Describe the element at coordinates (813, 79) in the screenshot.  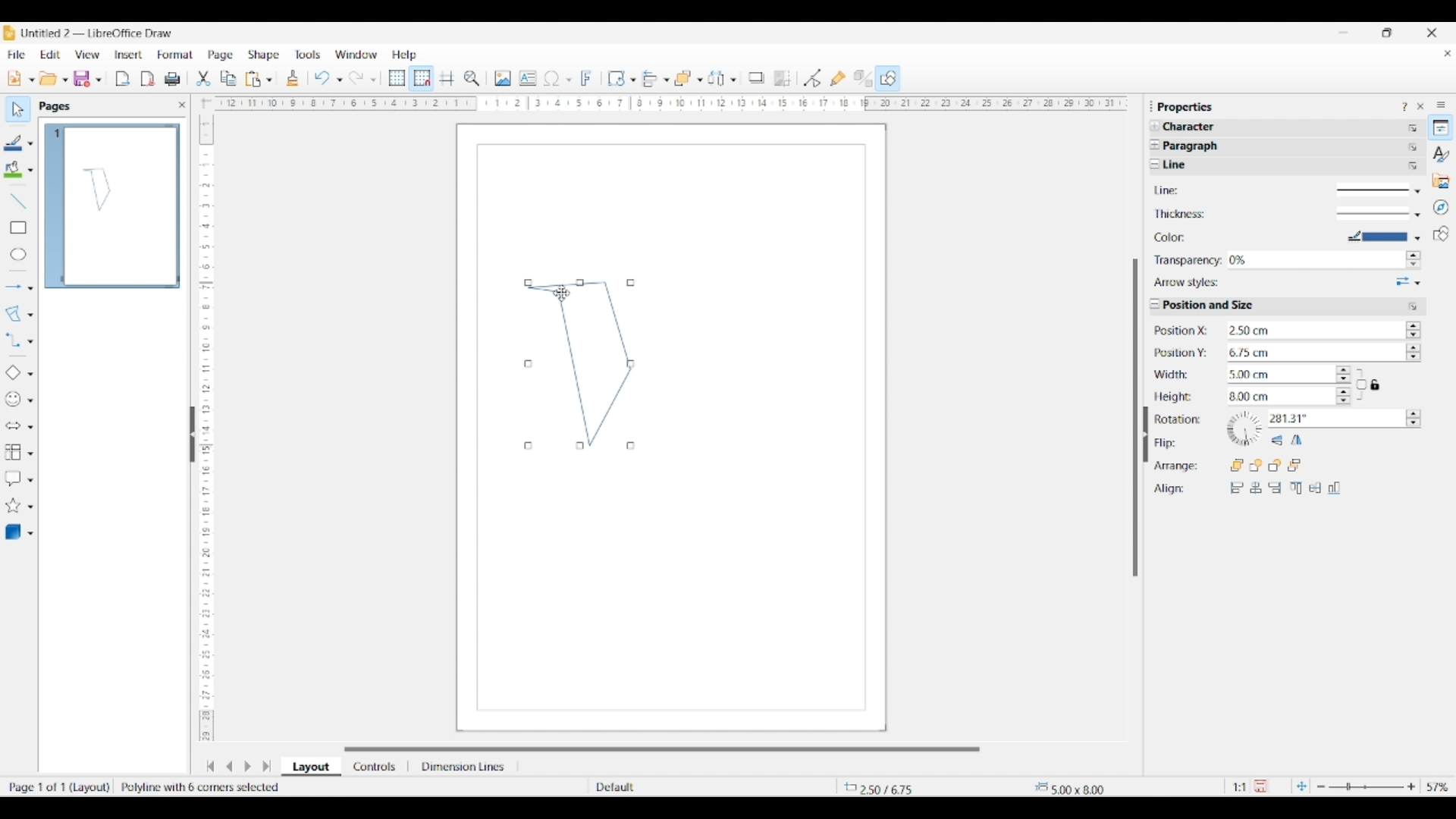
I see `Toggle point edit mode` at that location.